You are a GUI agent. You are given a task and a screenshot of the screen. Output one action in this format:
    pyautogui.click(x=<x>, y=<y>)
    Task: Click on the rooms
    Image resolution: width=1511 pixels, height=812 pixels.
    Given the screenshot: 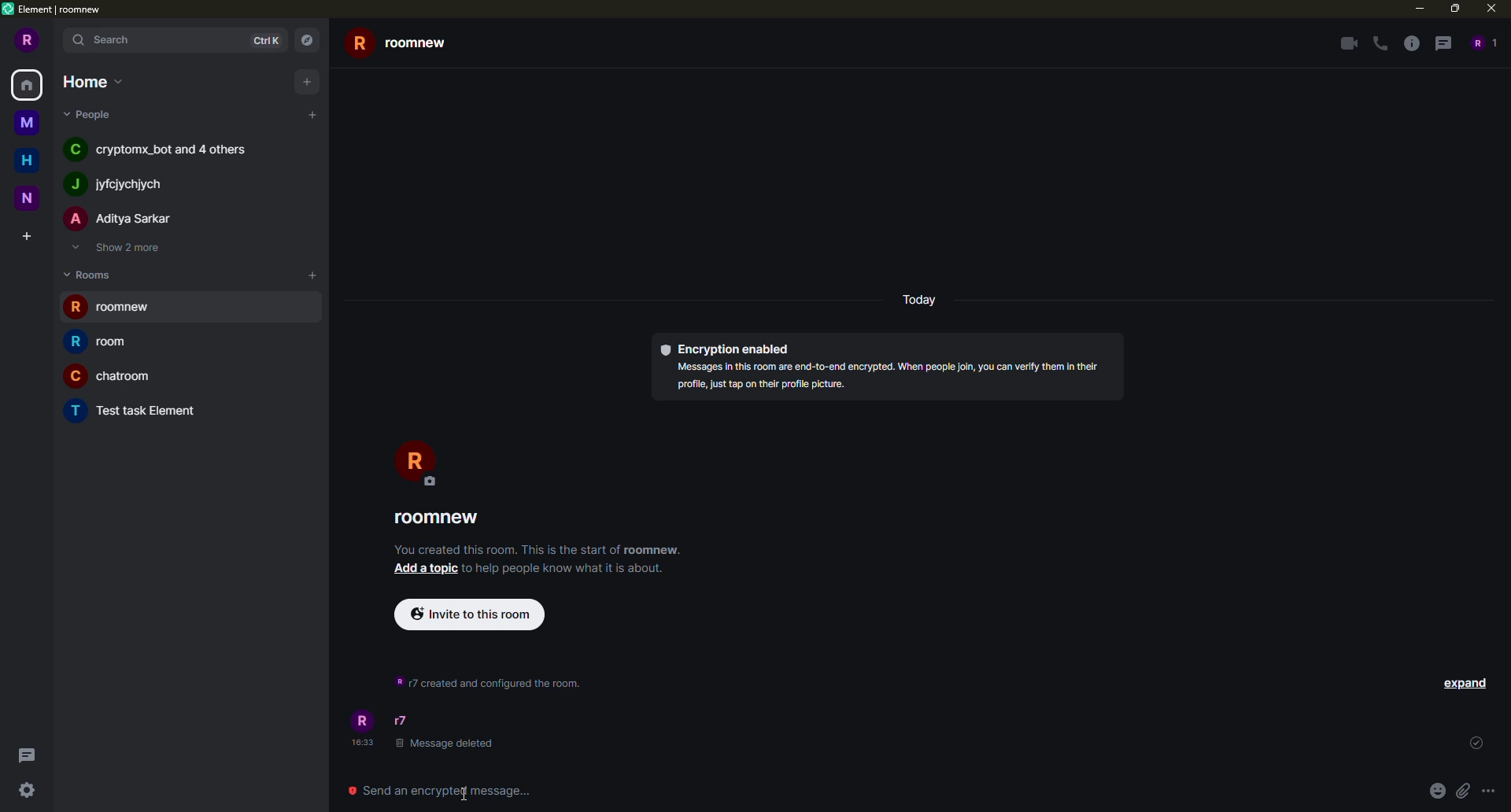 What is the action you would take?
    pyautogui.click(x=87, y=275)
    